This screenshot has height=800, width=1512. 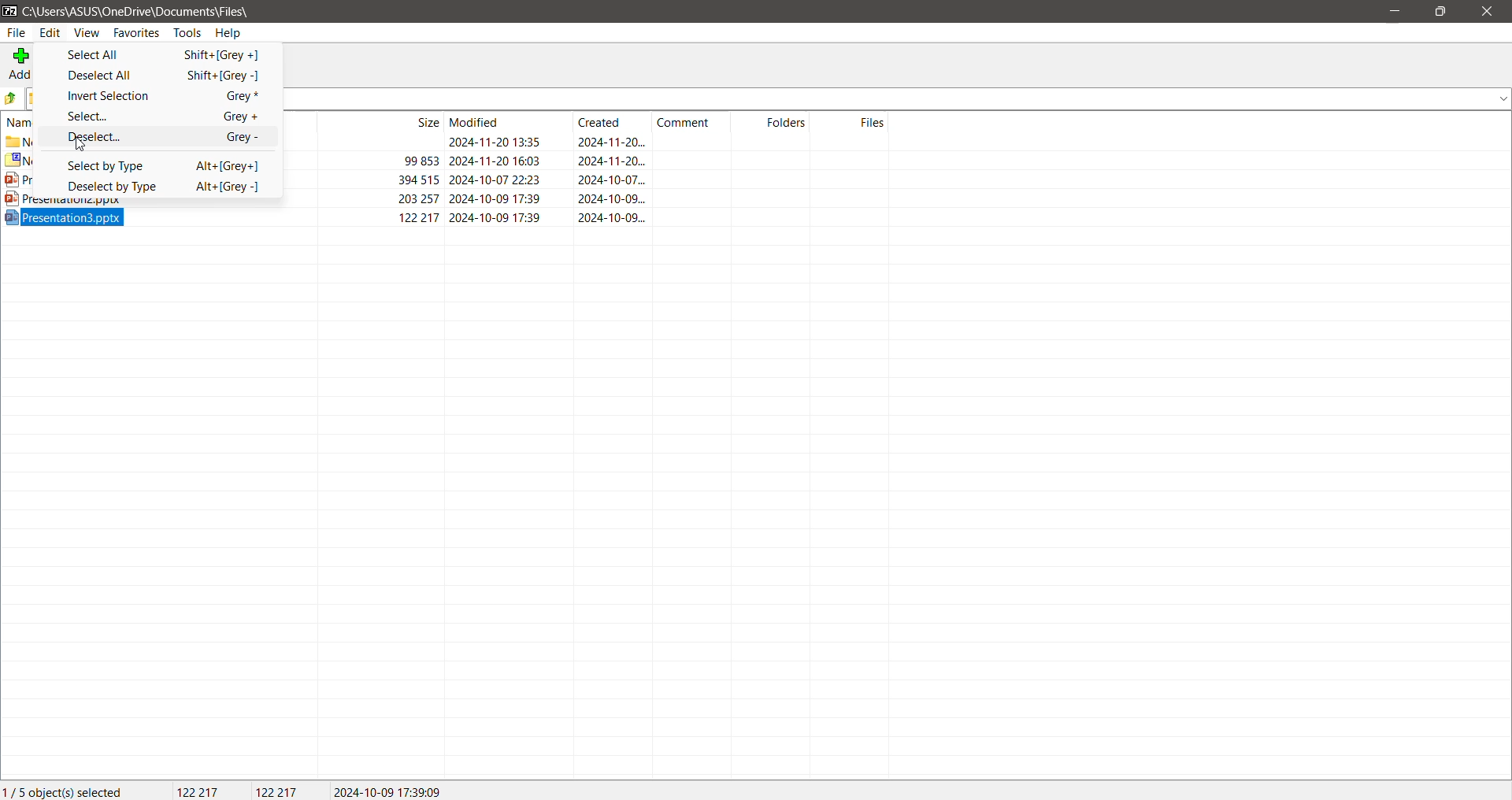 I want to click on name, so click(x=23, y=124).